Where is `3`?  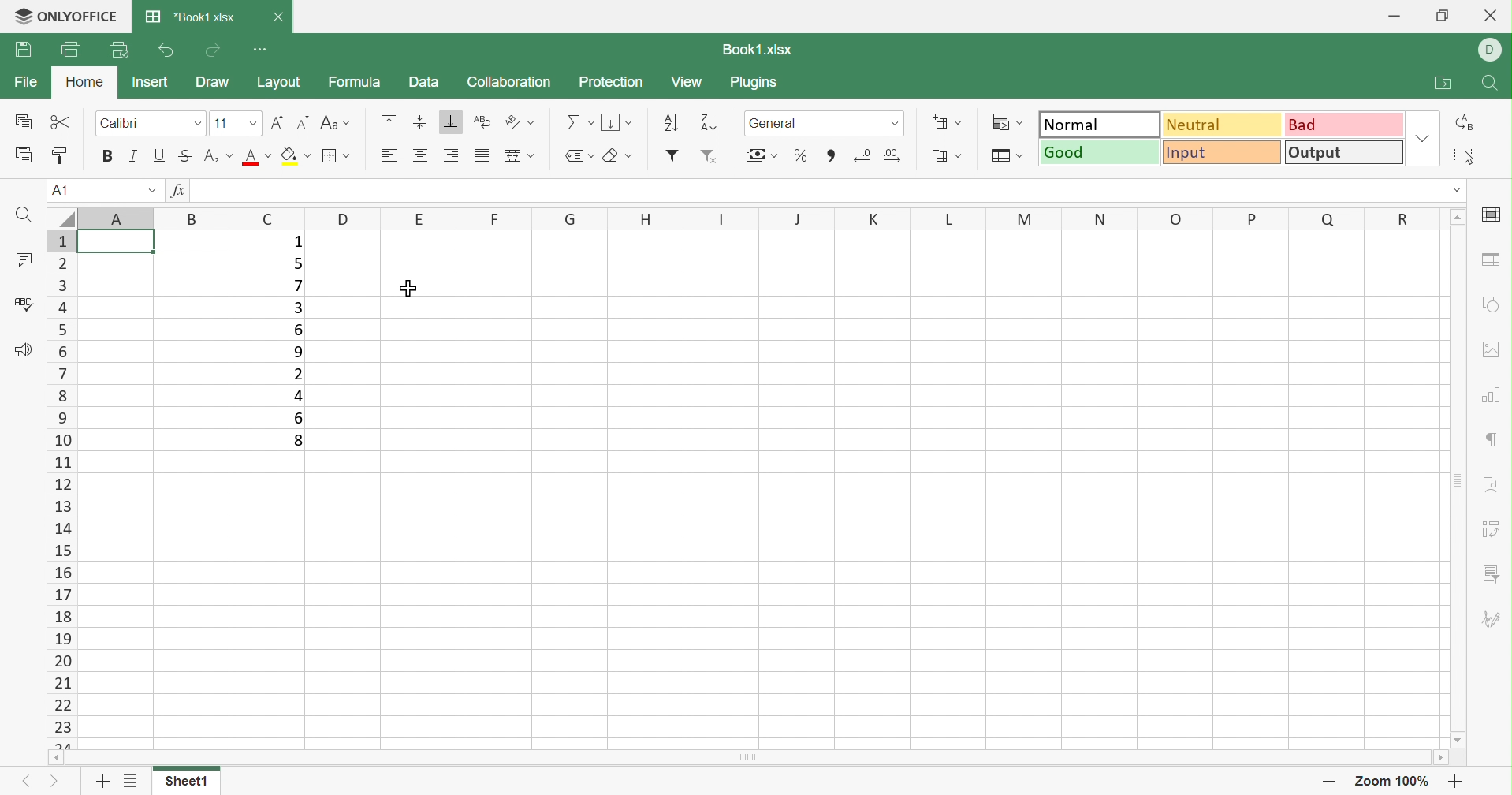 3 is located at coordinates (298, 308).